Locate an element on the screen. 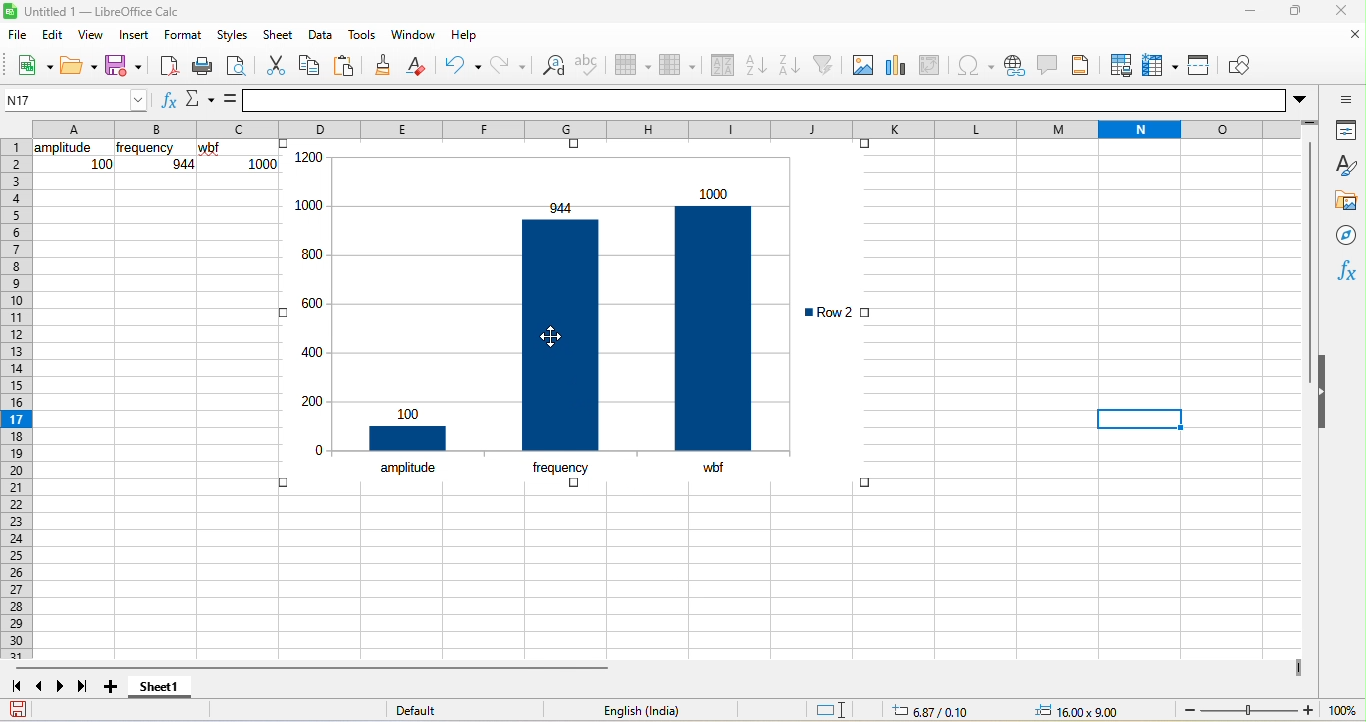  clone formatting is located at coordinates (382, 66).